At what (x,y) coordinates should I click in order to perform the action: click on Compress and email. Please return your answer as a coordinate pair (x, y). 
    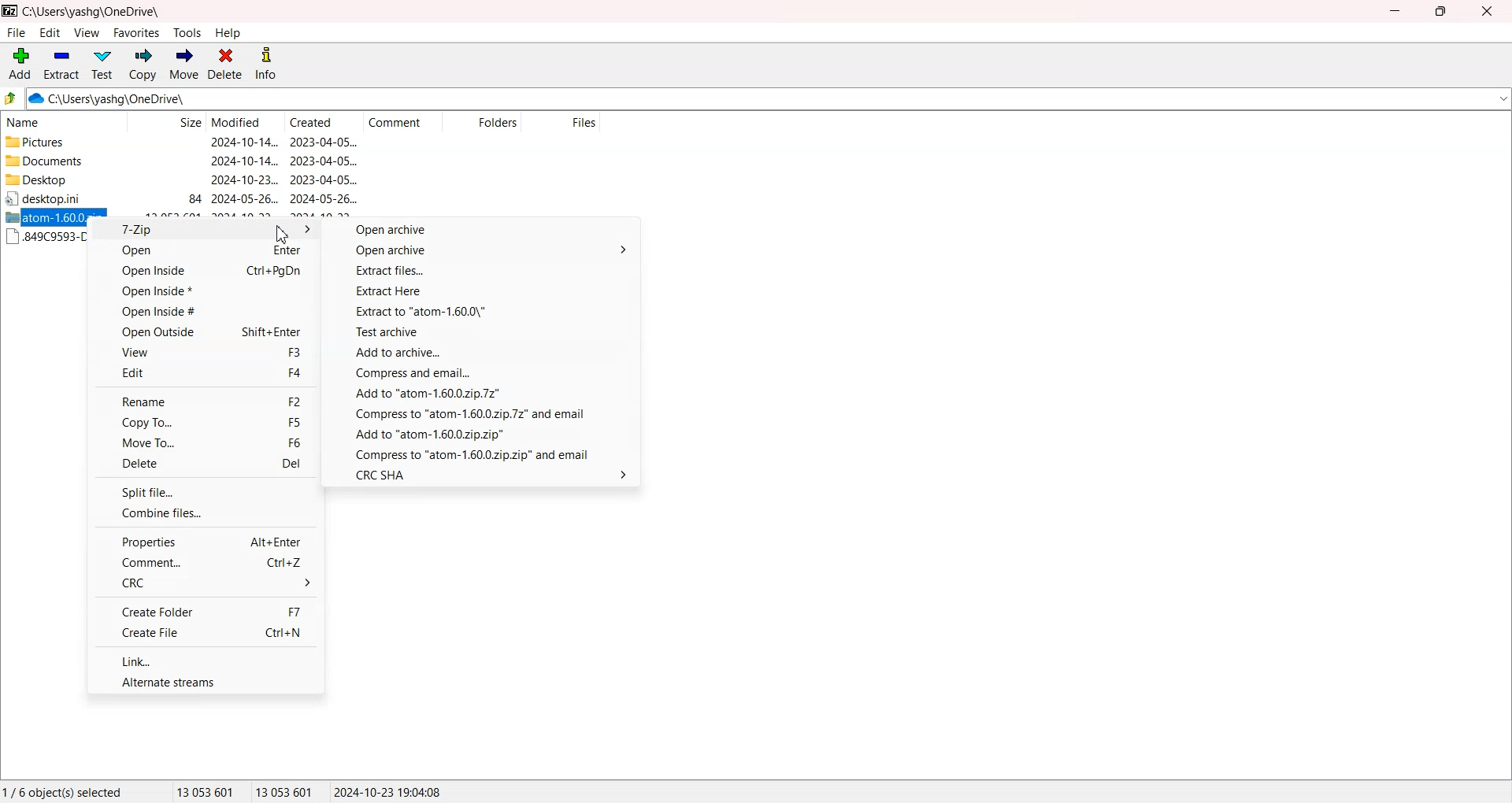
    Looking at the image, I should click on (484, 373).